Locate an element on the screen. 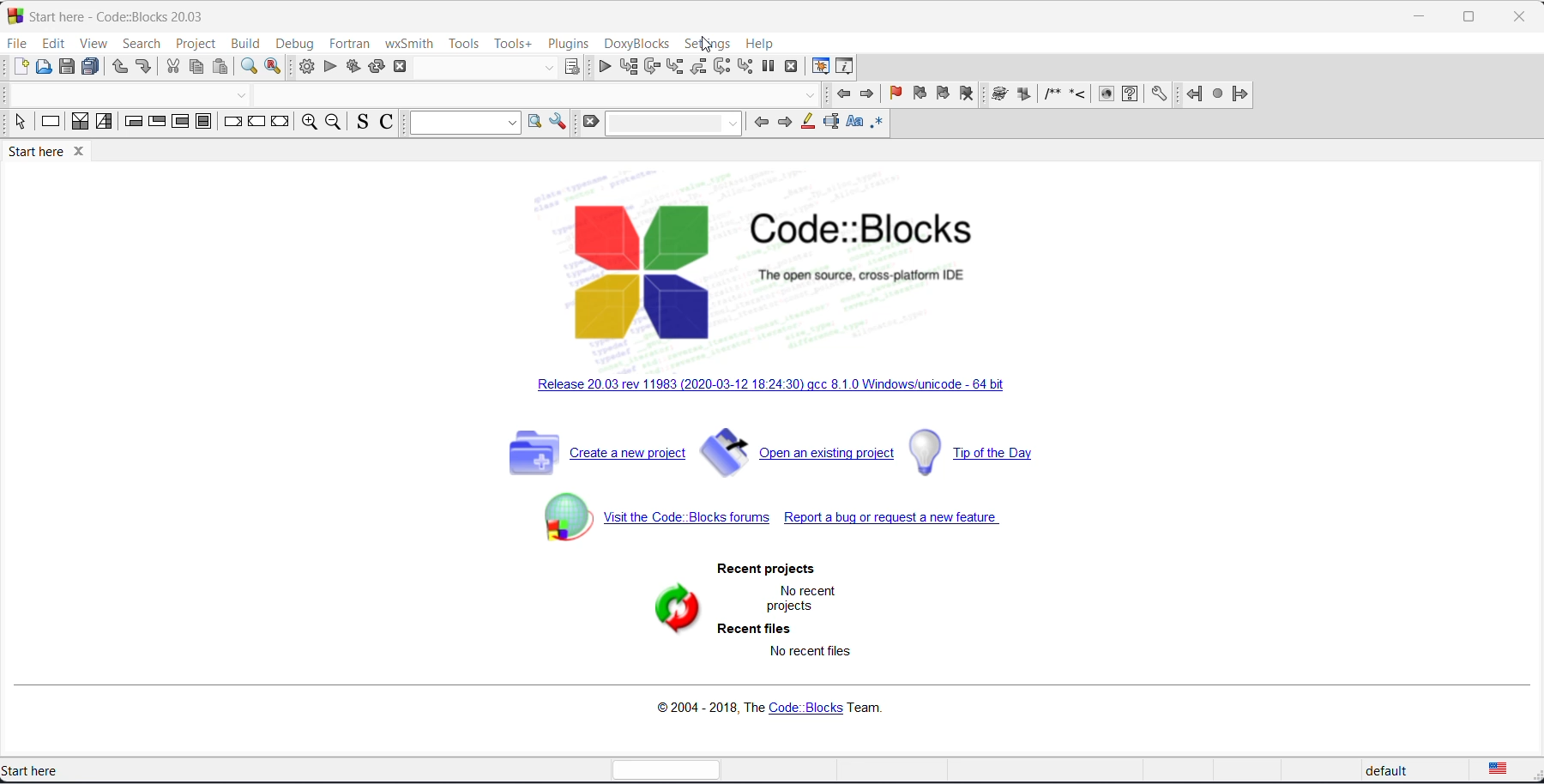 This screenshot has width=1544, height=784. break debugger is located at coordinates (769, 67).